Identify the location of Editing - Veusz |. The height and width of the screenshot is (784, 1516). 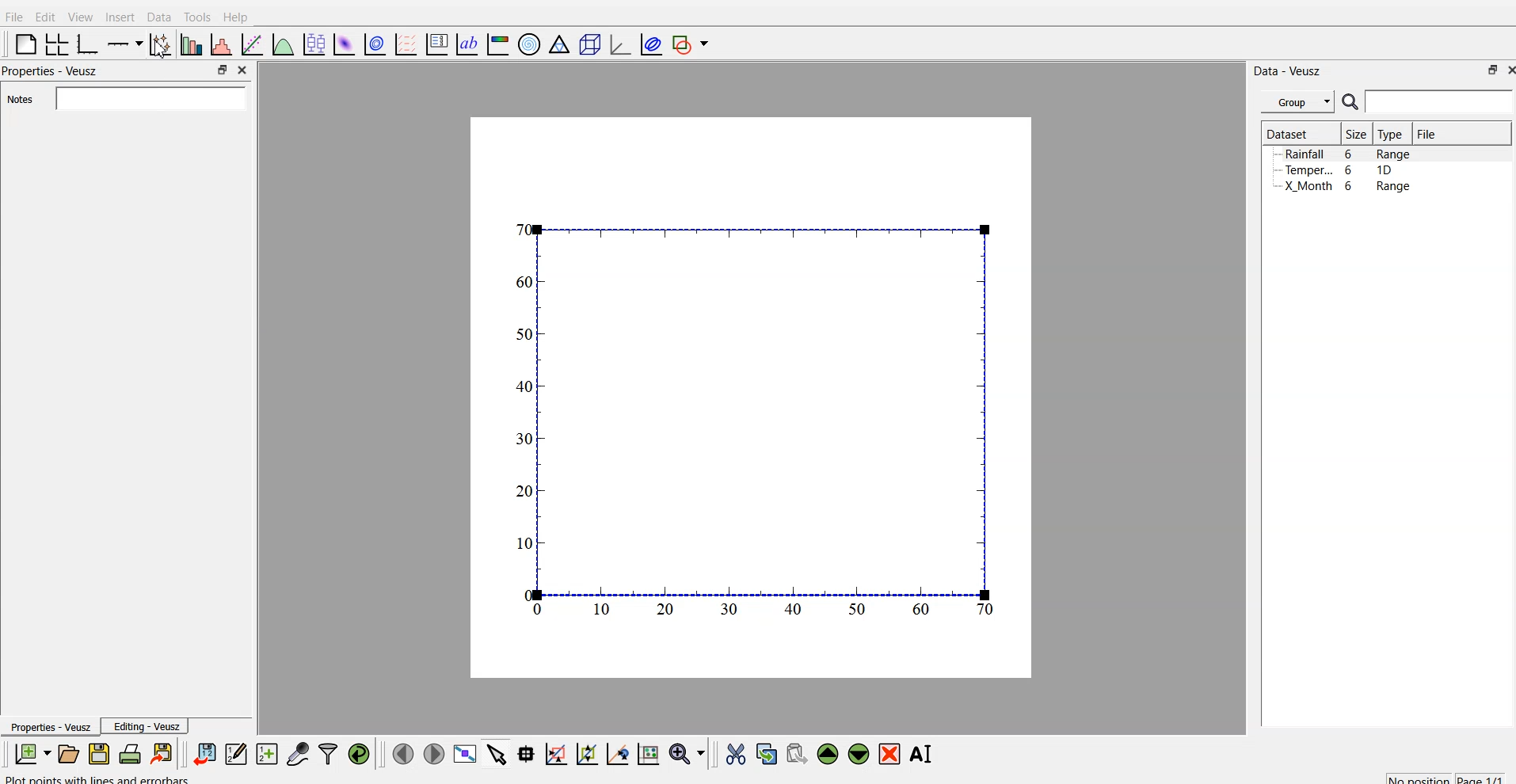
(148, 726).